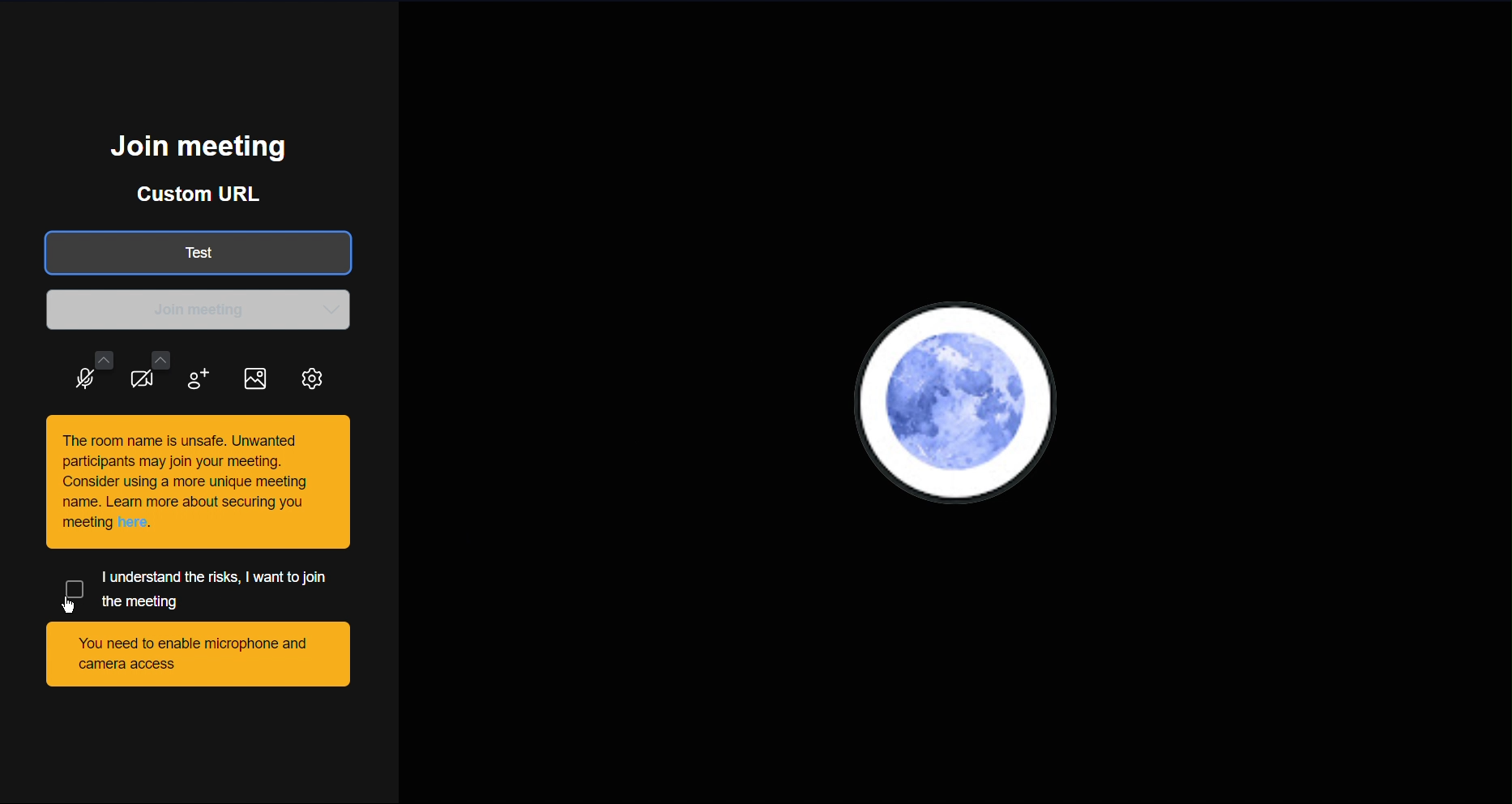  I want to click on Join meeting, so click(196, 147).